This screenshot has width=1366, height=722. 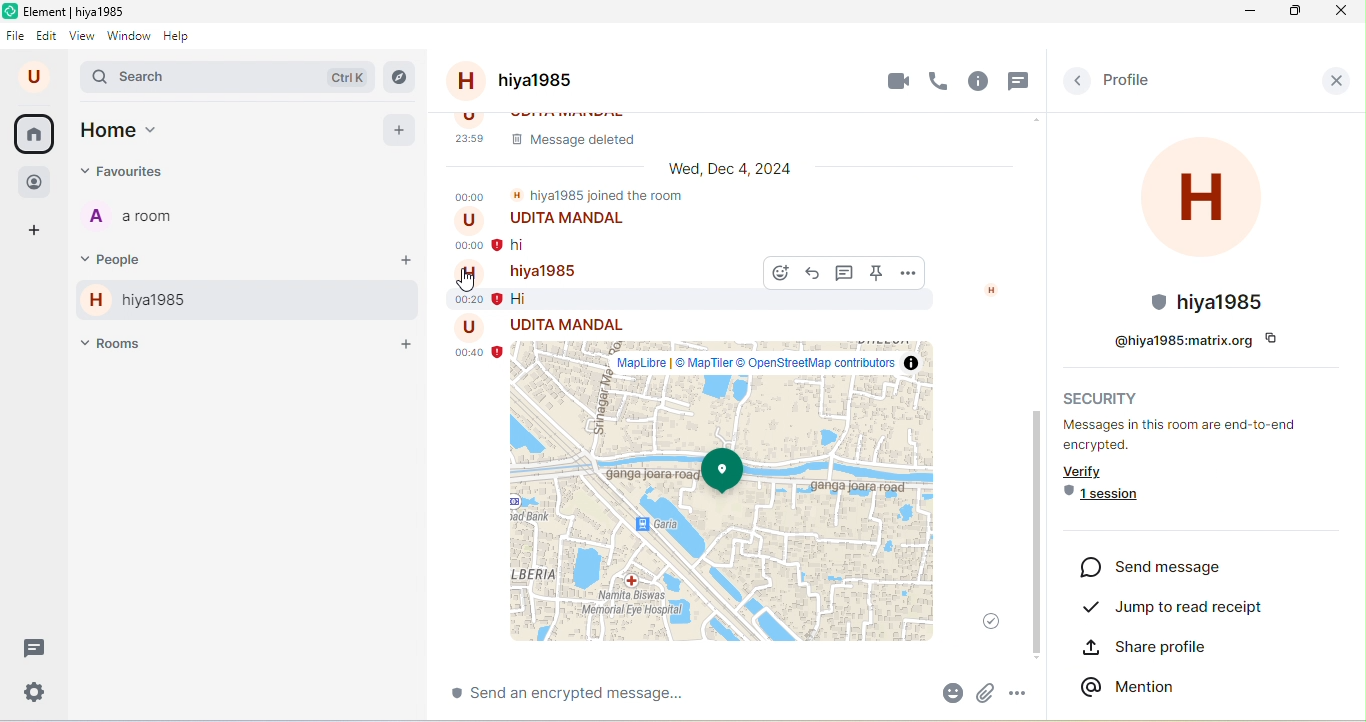 What do you see at coordinates (945, 81) in the screenshot?
I see `audio call` at bounding box center [945, 81].